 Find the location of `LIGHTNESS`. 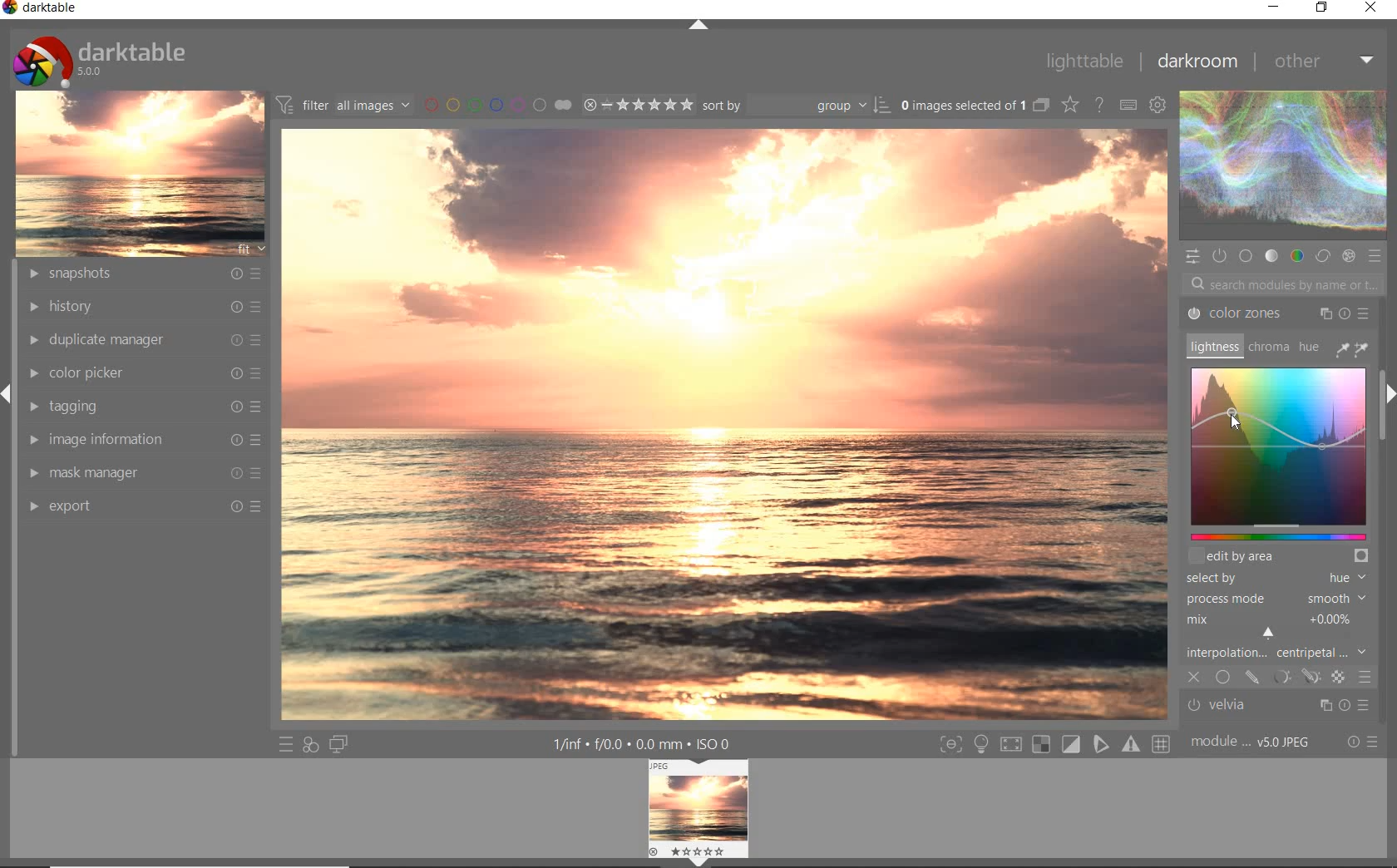

LIGHTNESS is located at coordinates (1212, 346).